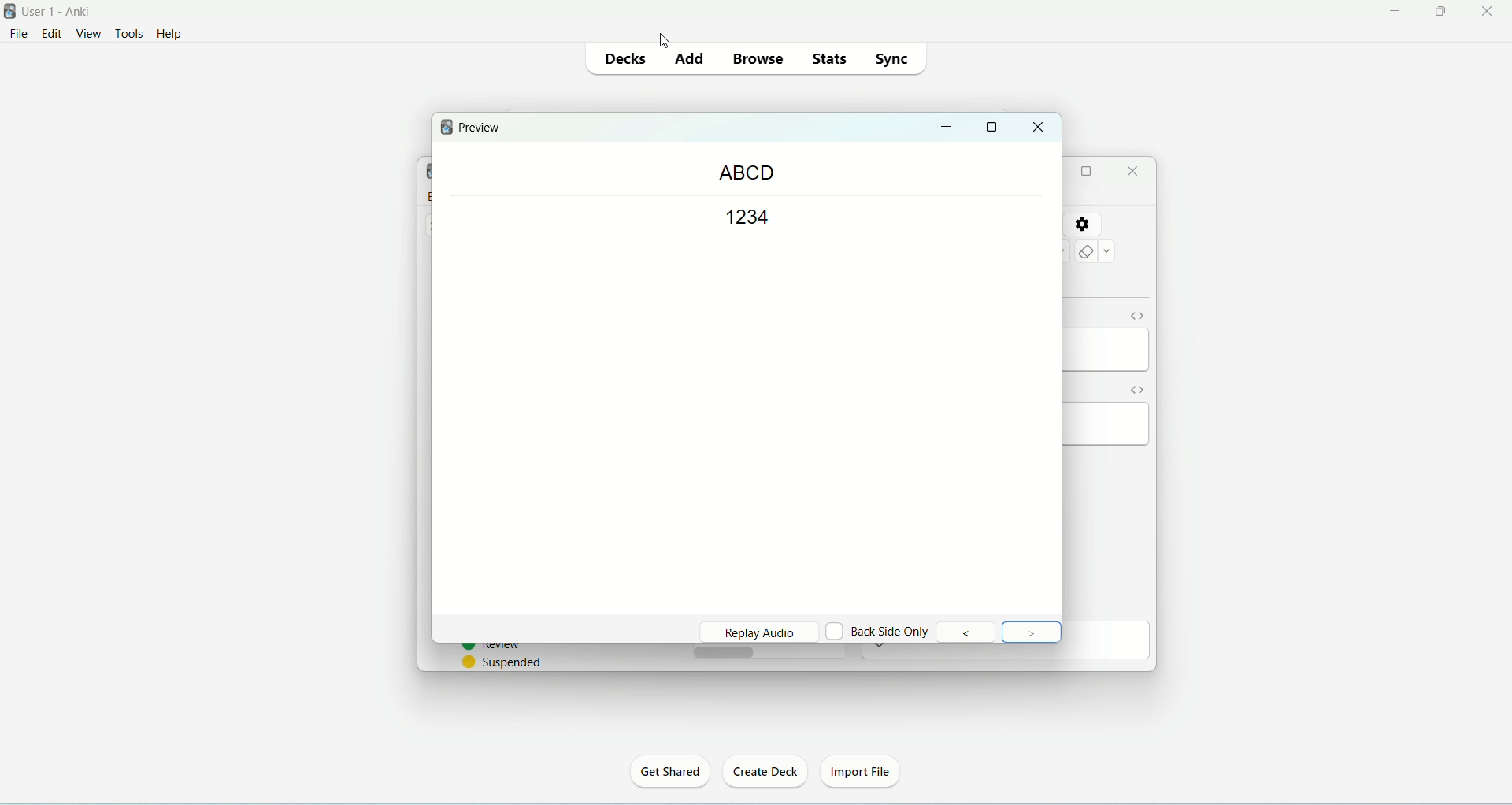  I want to click on tools, so click(128, 35).